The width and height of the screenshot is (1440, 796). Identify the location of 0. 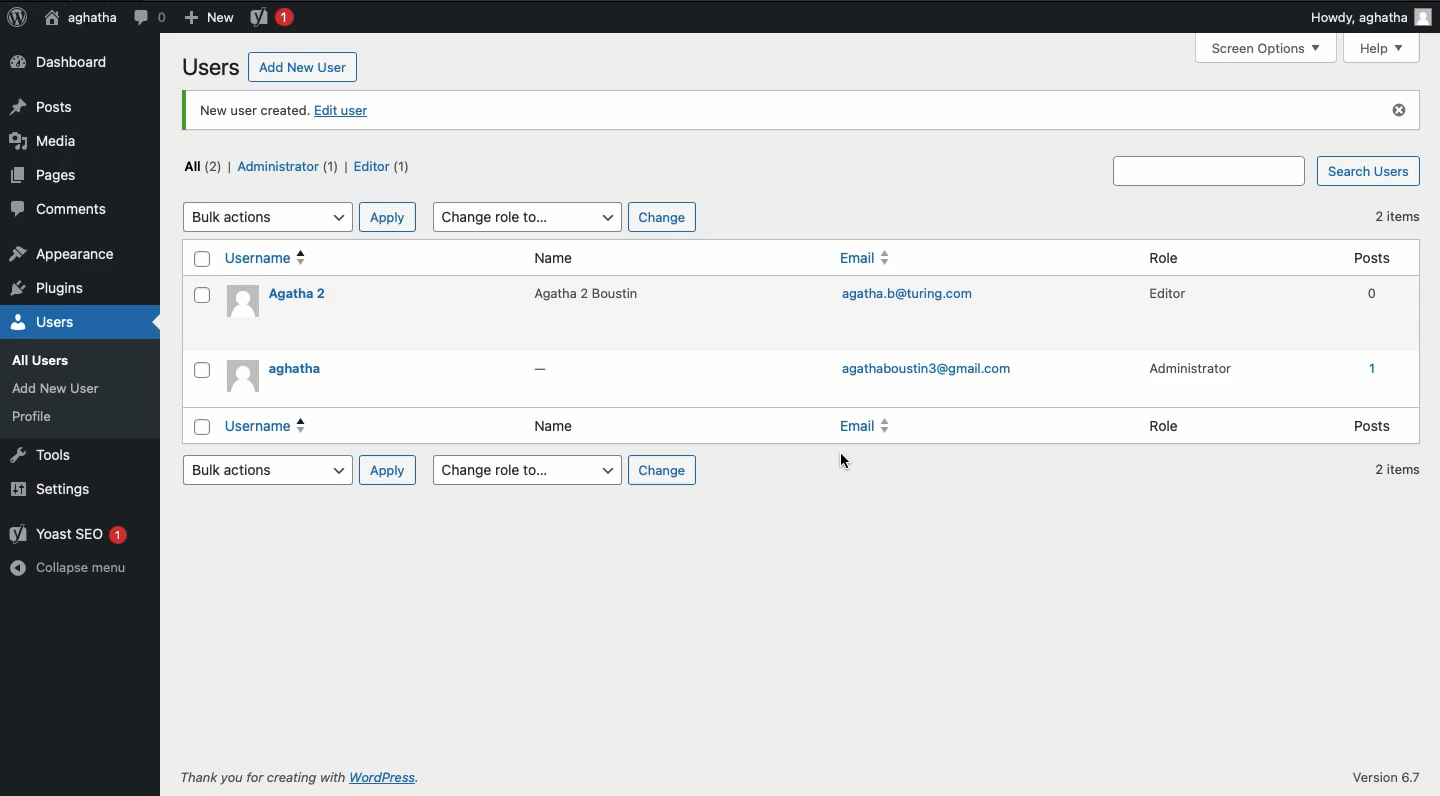
(1364, 293).